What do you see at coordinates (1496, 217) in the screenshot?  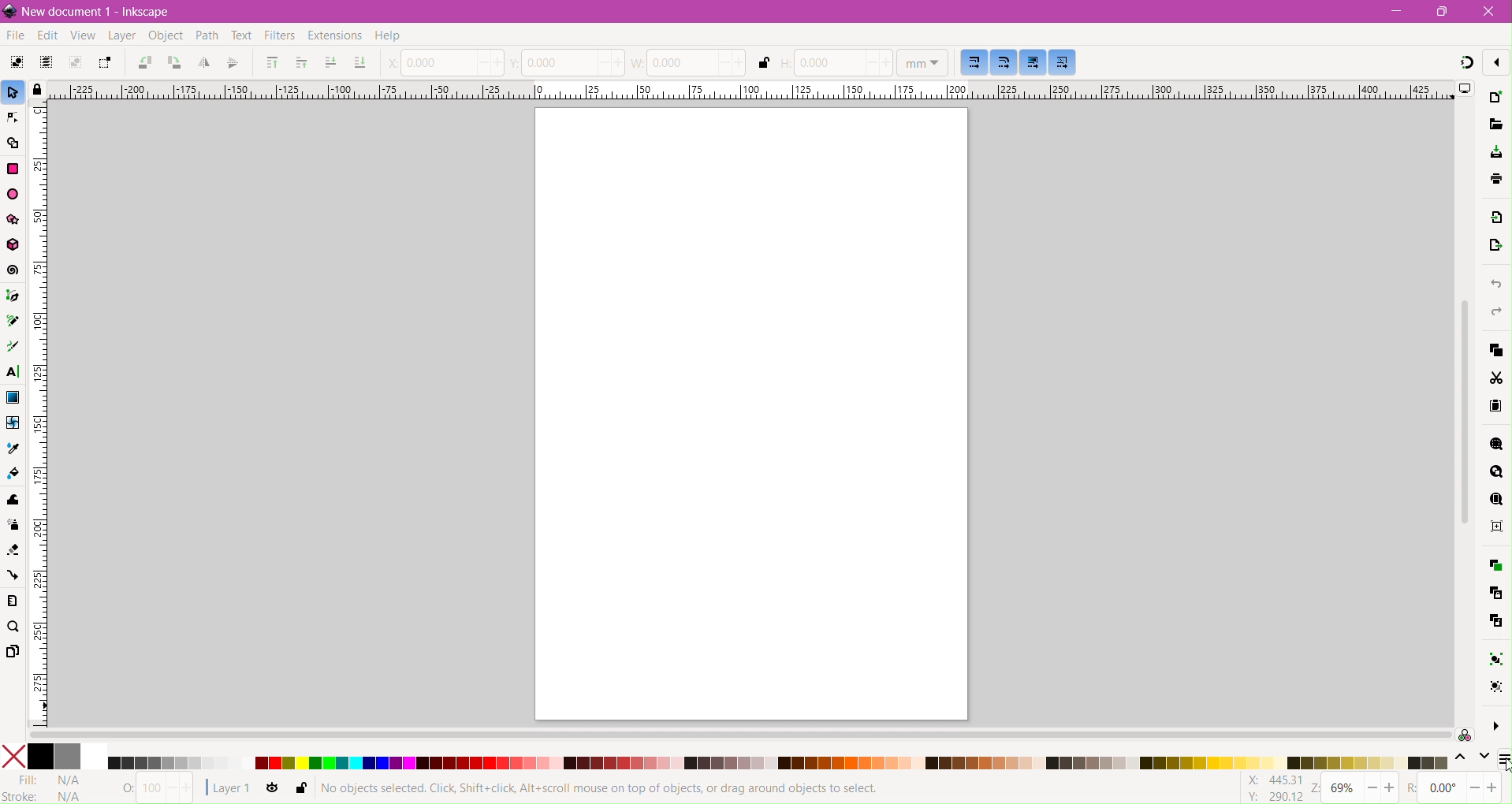 I see `Import` at bounding box center [1496, 217].